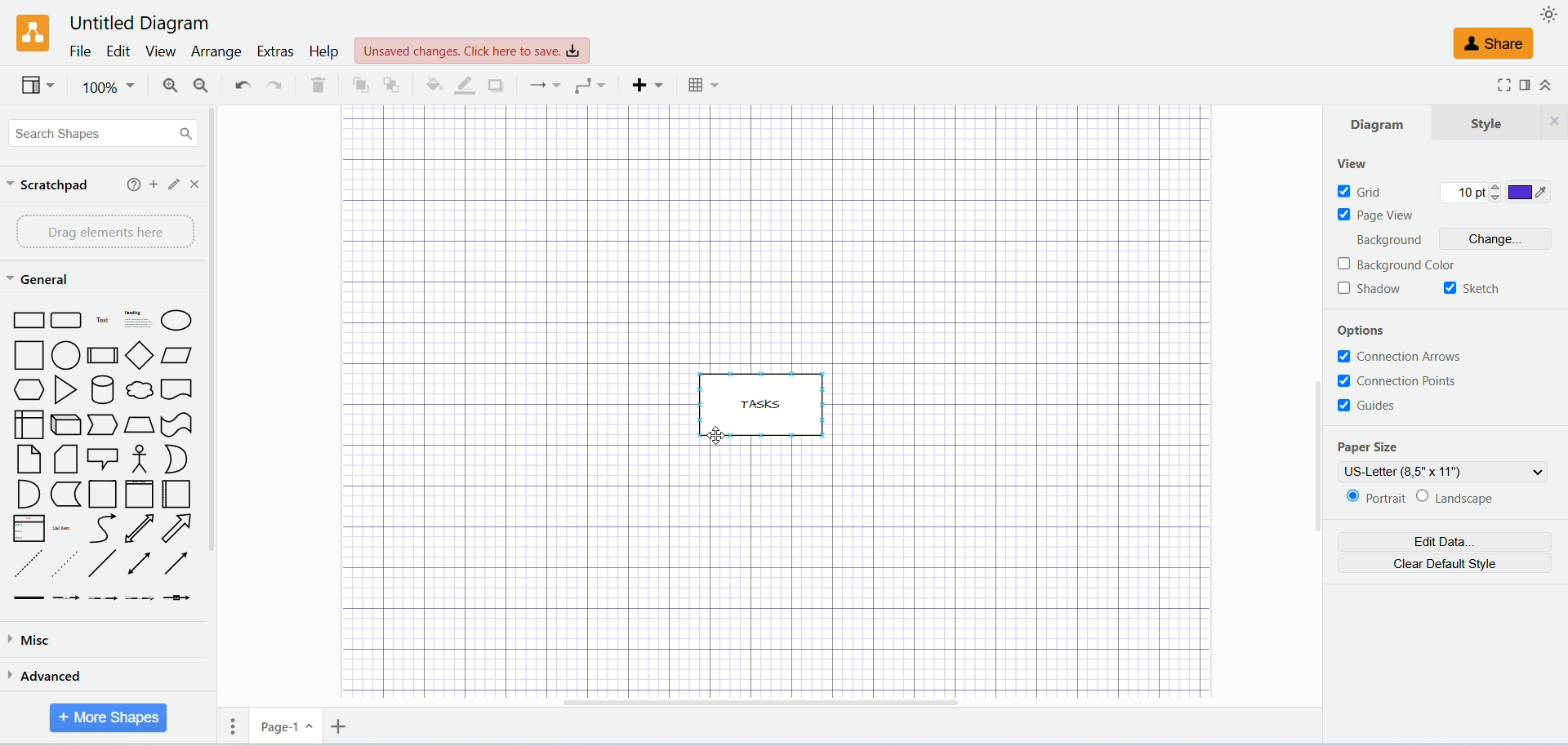 The height and width of the screenshot is (746, 1568). What do you see at coordinates (198, 85) in the screenshot?
I see `zoom out` at bounding box center [198, 85].